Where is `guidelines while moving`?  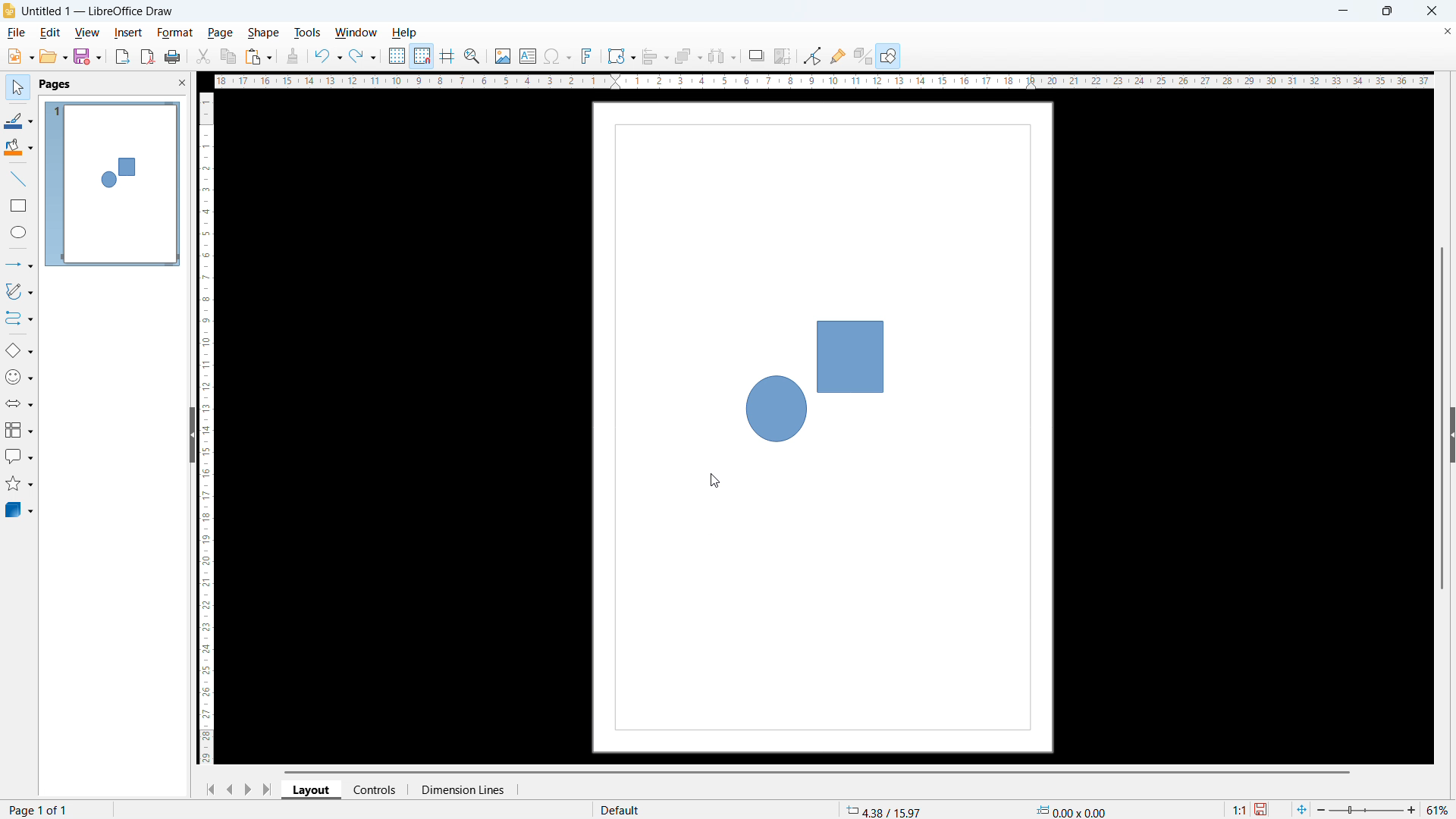 guidelines while moving is located at coordinates (448, 55).